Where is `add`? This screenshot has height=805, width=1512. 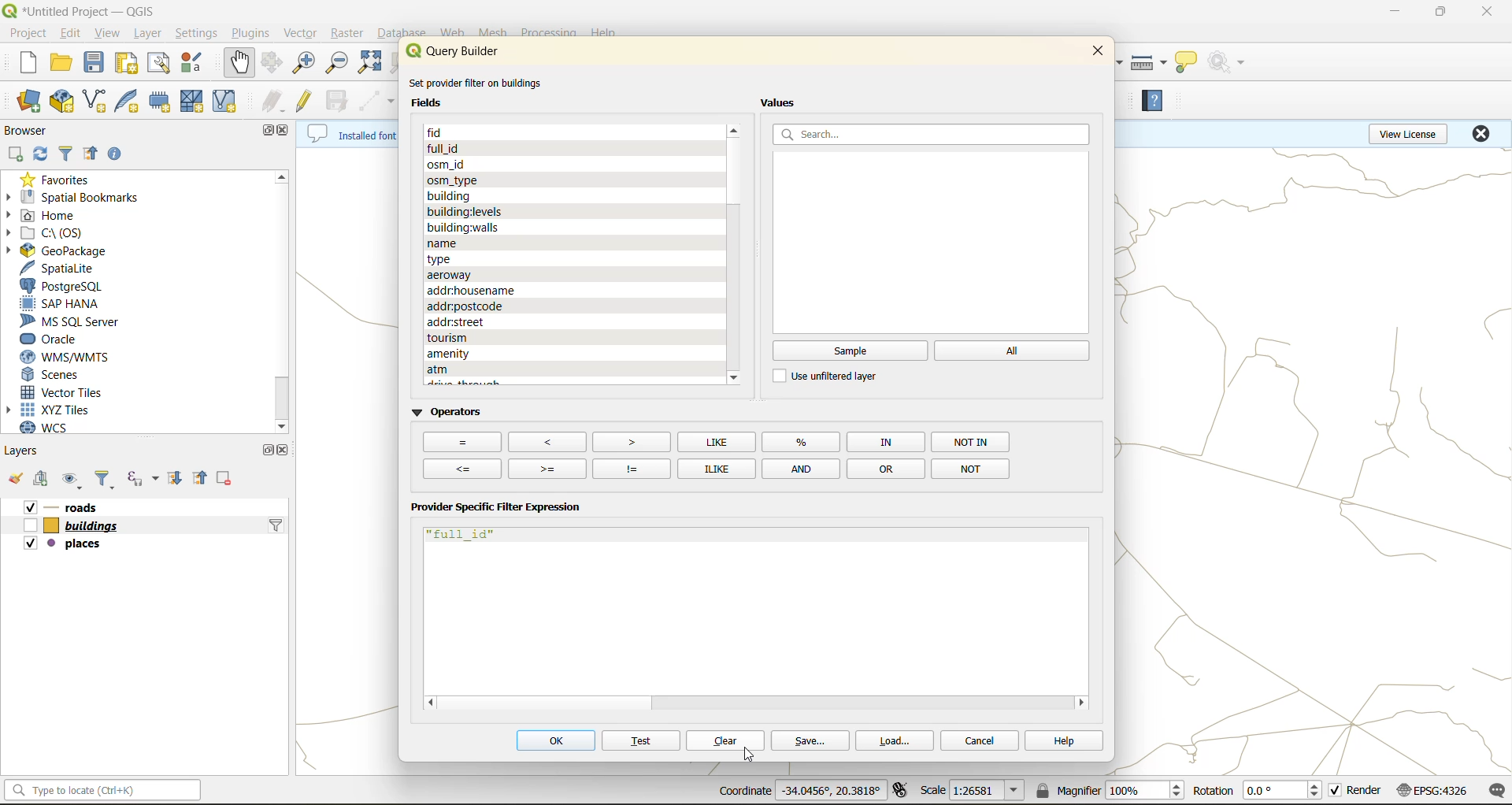
add is located at coordinates (19, 154).